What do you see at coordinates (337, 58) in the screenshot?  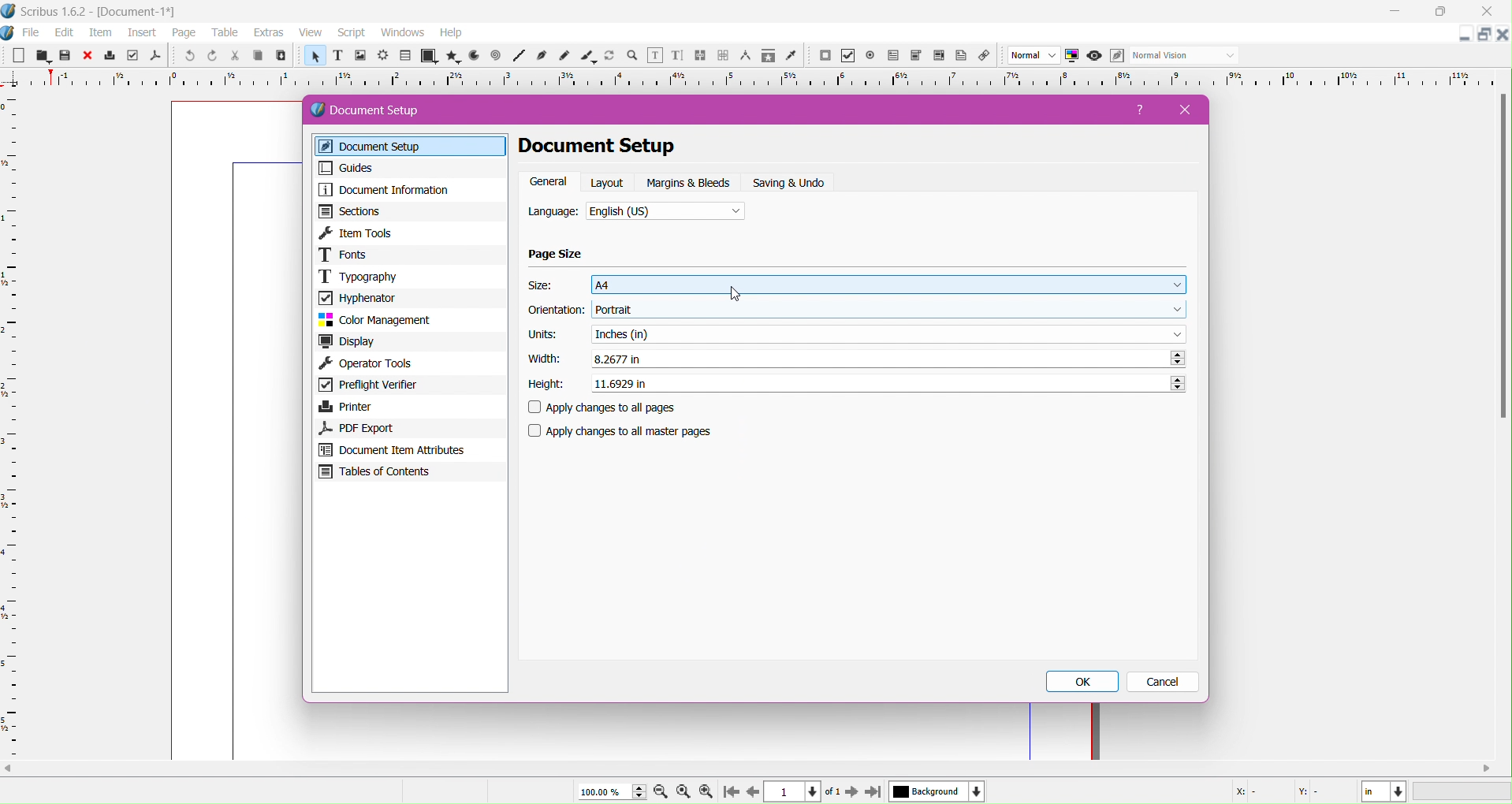 I see `text frame` at bounding box center [337, 58].